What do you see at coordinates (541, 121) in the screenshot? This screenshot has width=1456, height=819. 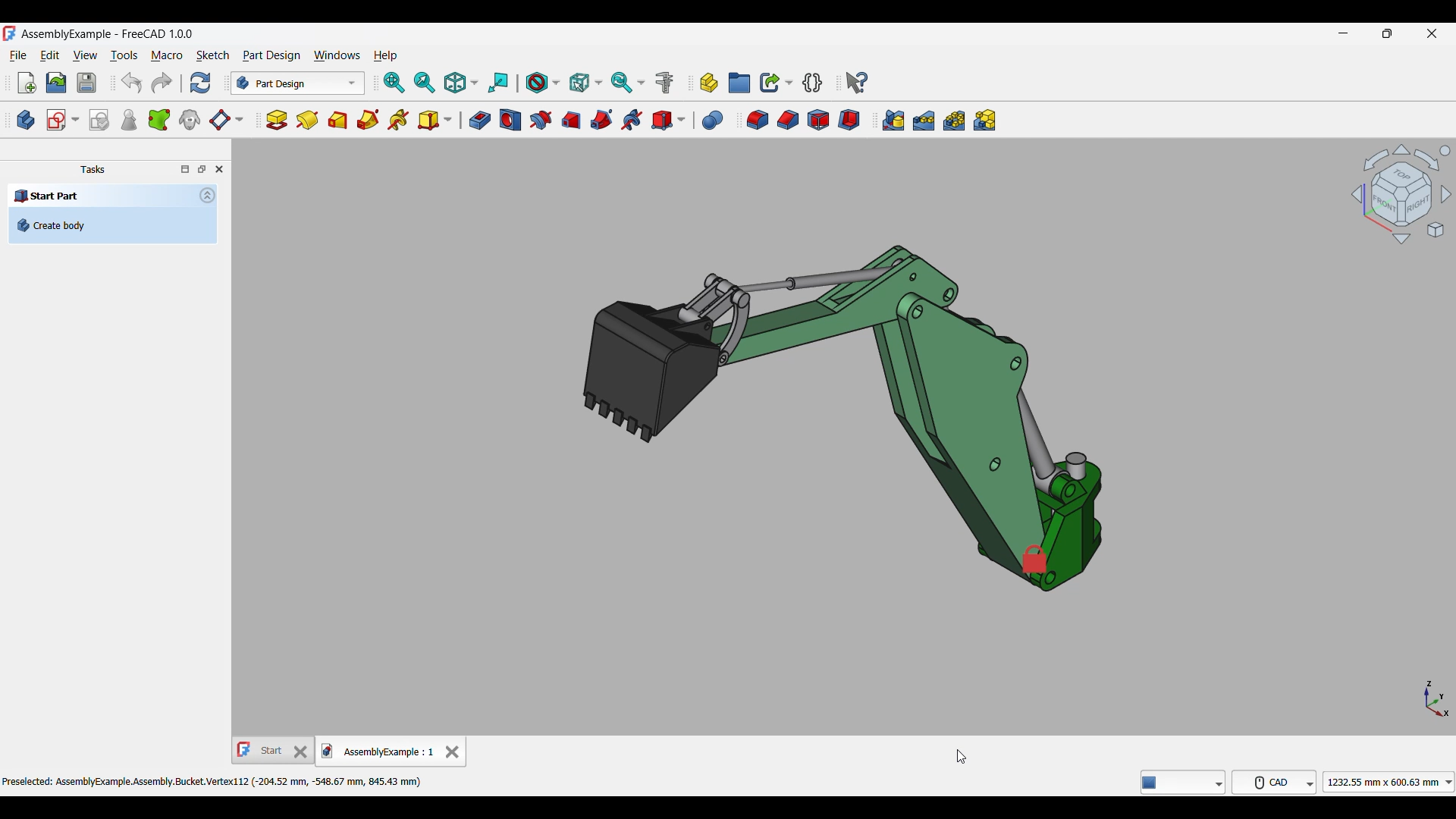 I see `Groove` at bounding box center [541, 121].